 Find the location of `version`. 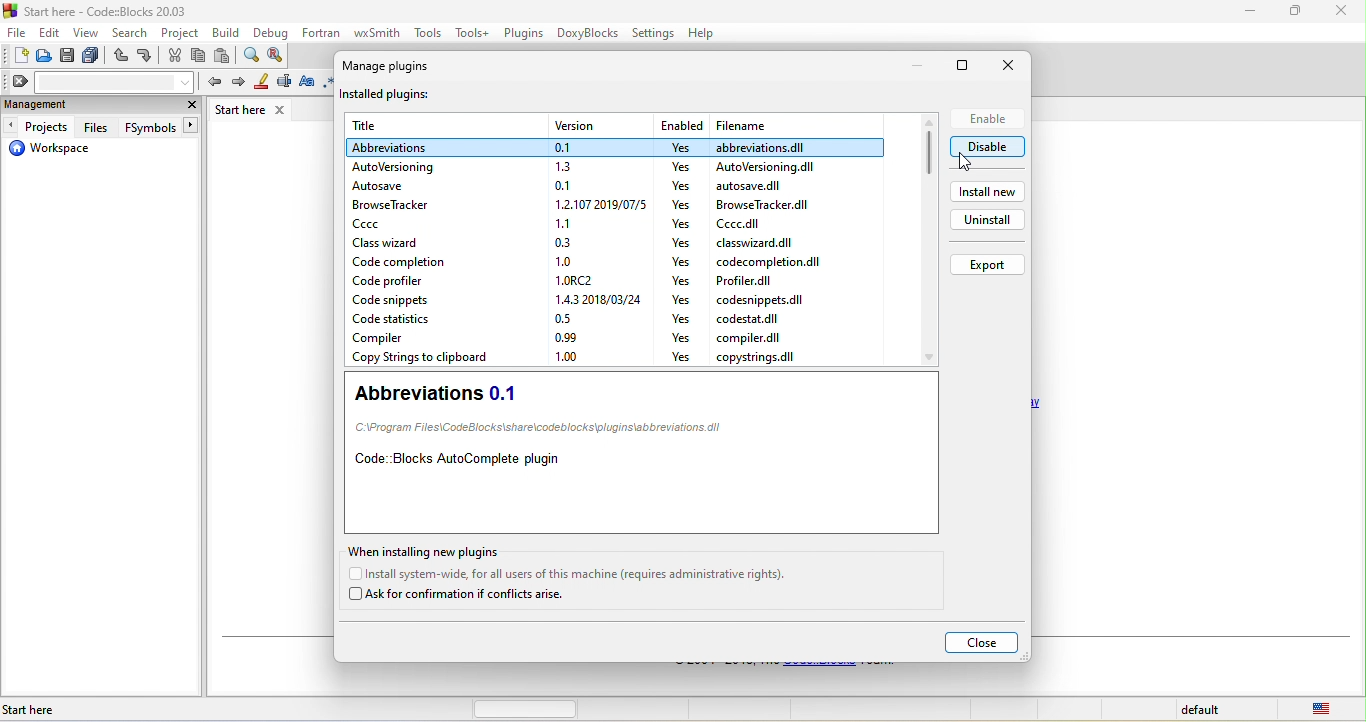

version is located at coordinates (602, 125).